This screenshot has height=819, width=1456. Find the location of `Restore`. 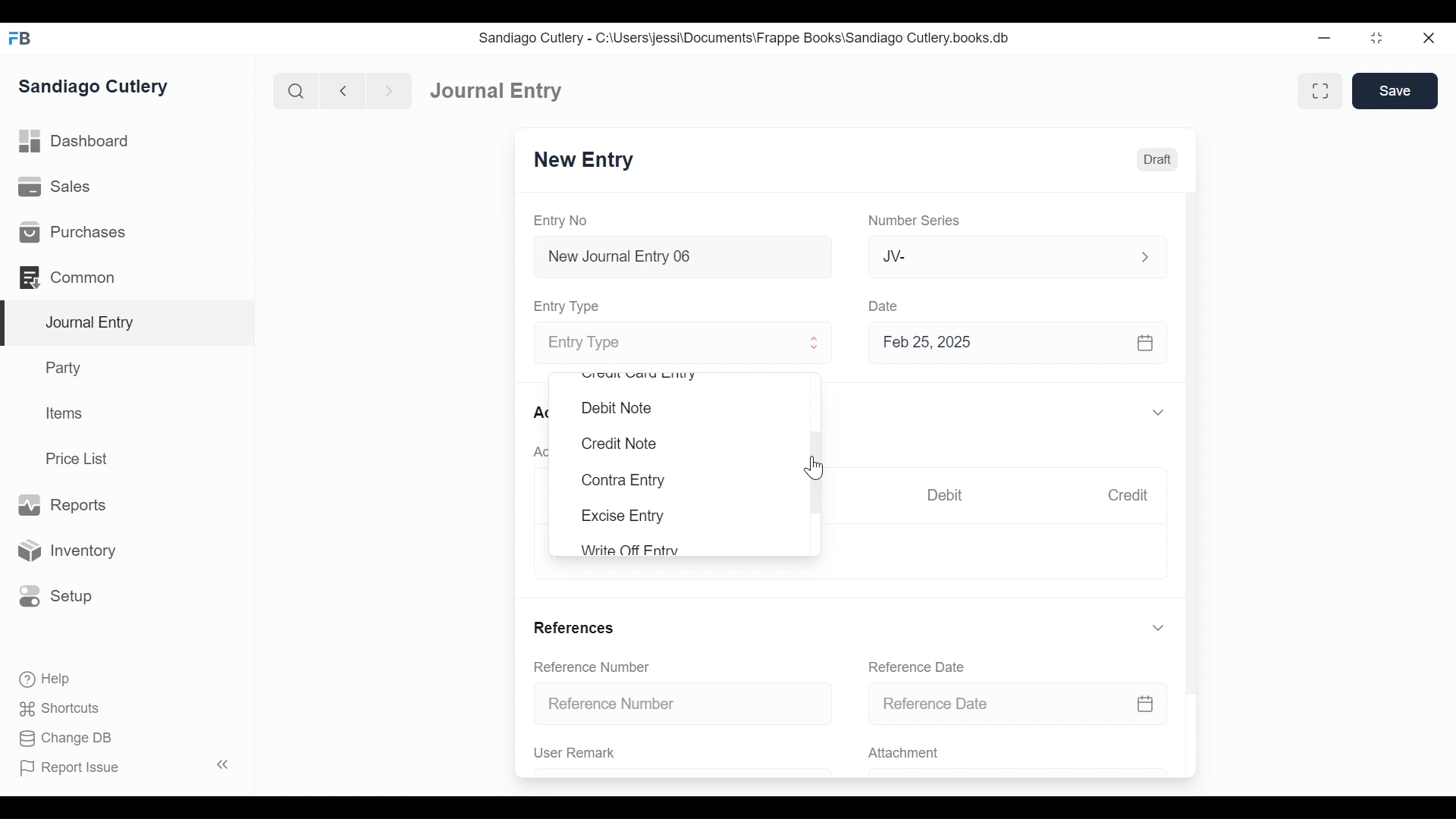

Restore is located at coordinates (1379, 37).